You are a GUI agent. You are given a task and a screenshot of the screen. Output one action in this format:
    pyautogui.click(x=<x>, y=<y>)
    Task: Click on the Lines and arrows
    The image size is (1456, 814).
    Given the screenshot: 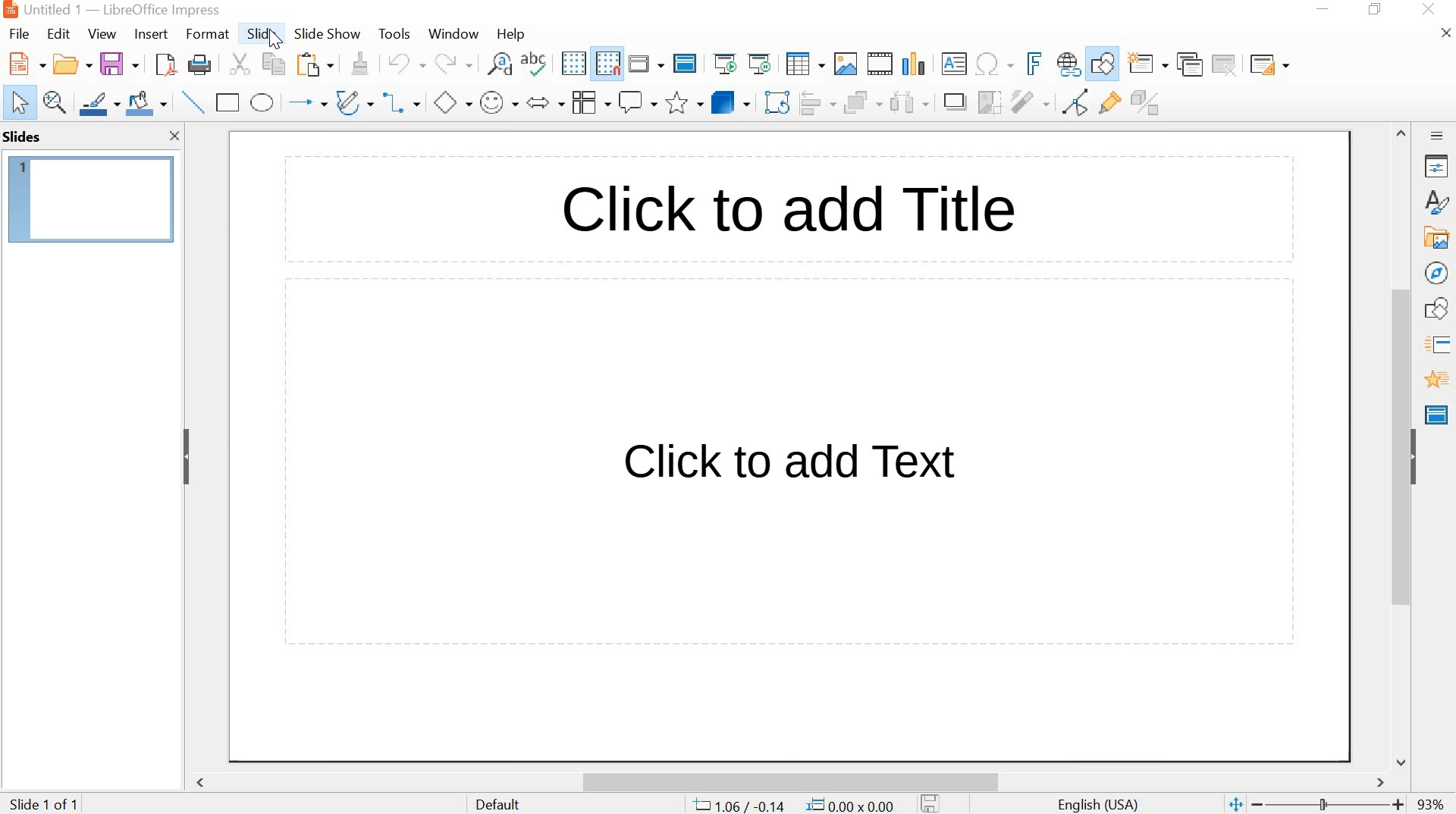 What is the action you would take?
    pyautogui.click(x=306, y=101)
    